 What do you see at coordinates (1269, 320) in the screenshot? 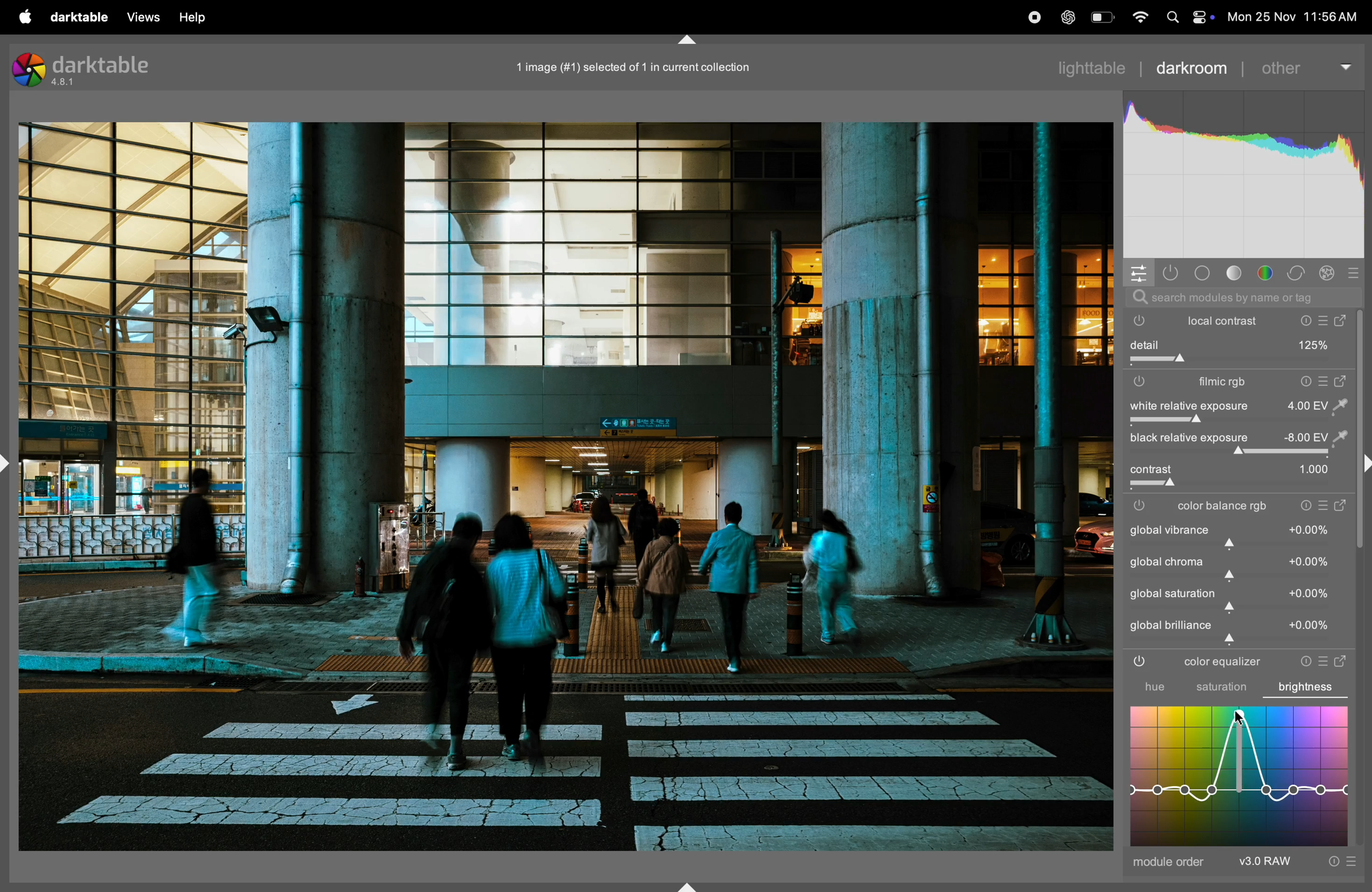
I see `local contrast` at bounding box center [1269, 320].